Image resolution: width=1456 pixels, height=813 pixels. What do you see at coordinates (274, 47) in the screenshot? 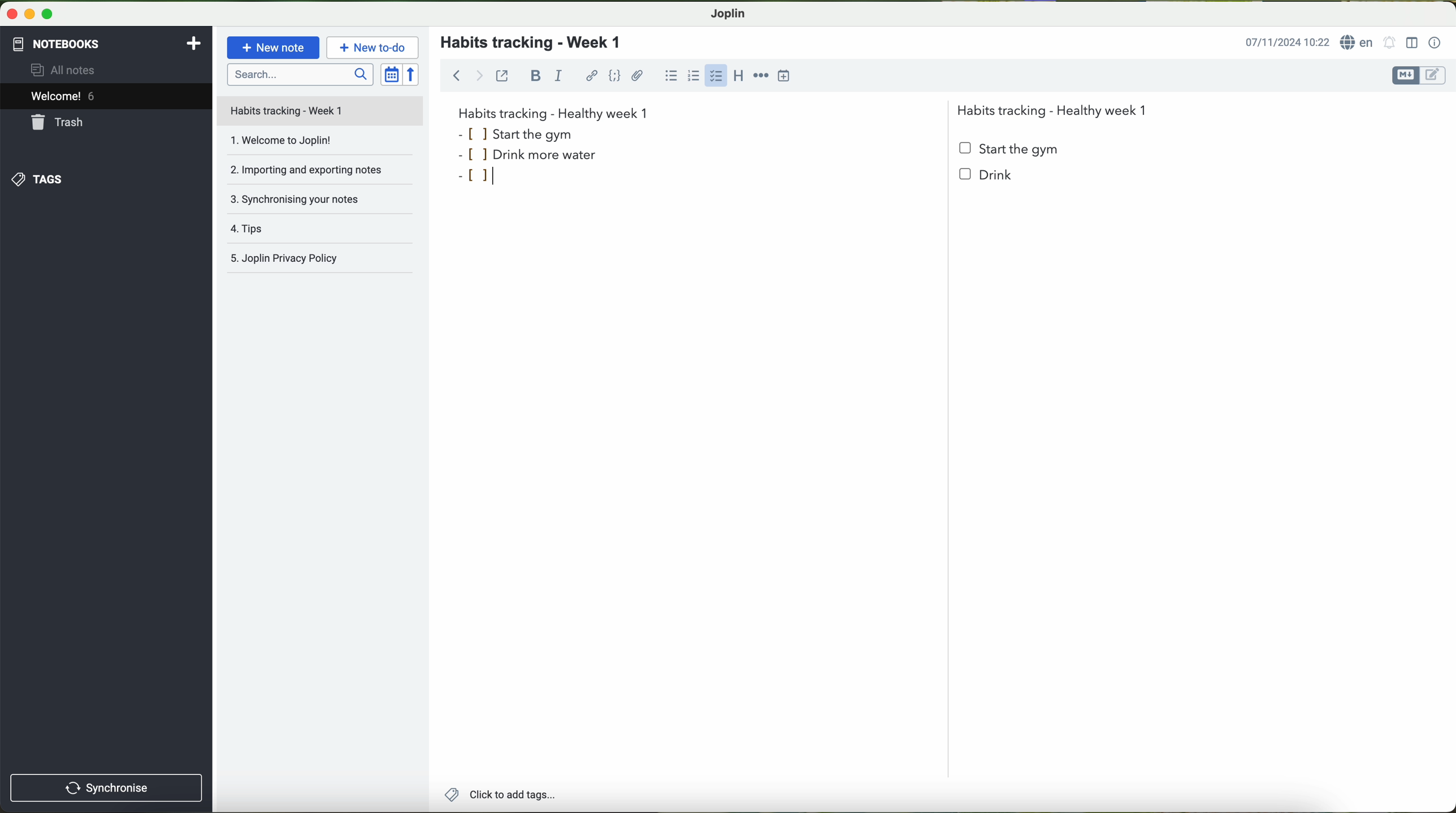
I see `new note button` at bounding box center [274, 47].